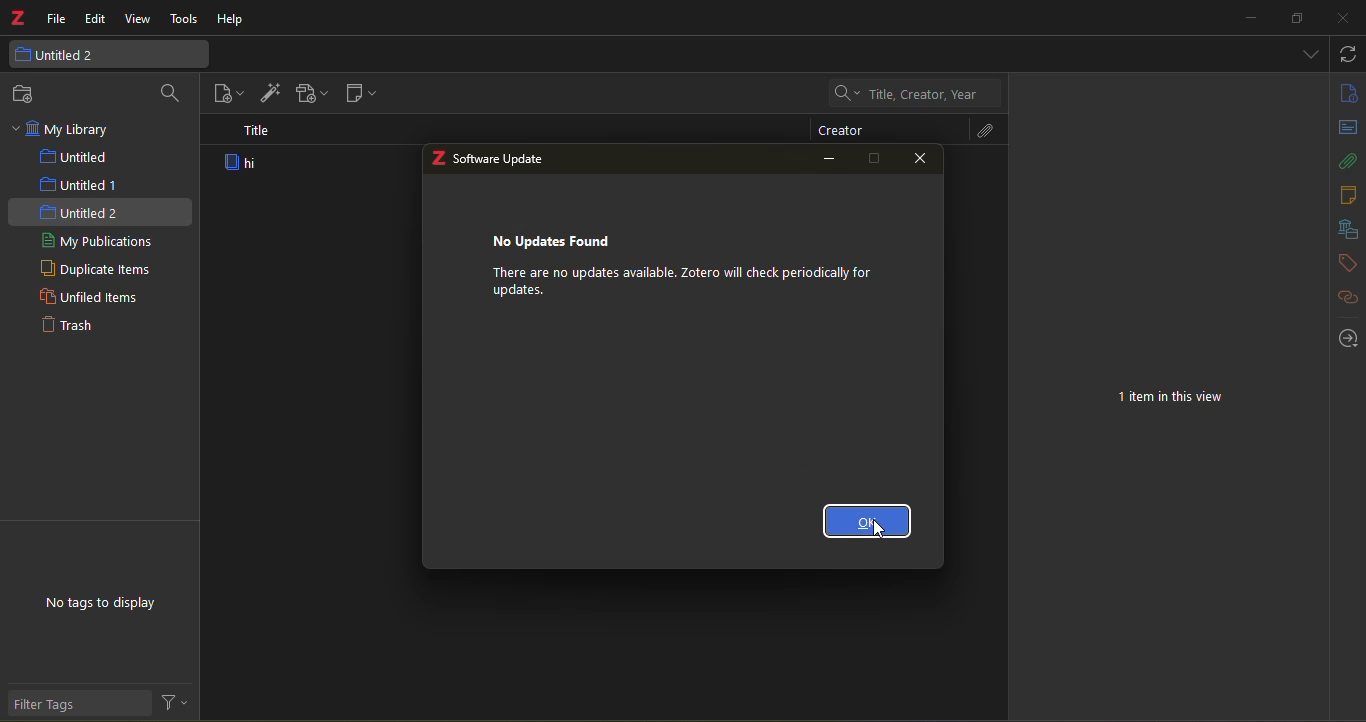 This screenshot has height=722, width=1366. Describe the element at coordinates (18, 17) in the screenshot. I see `logo` at that location.